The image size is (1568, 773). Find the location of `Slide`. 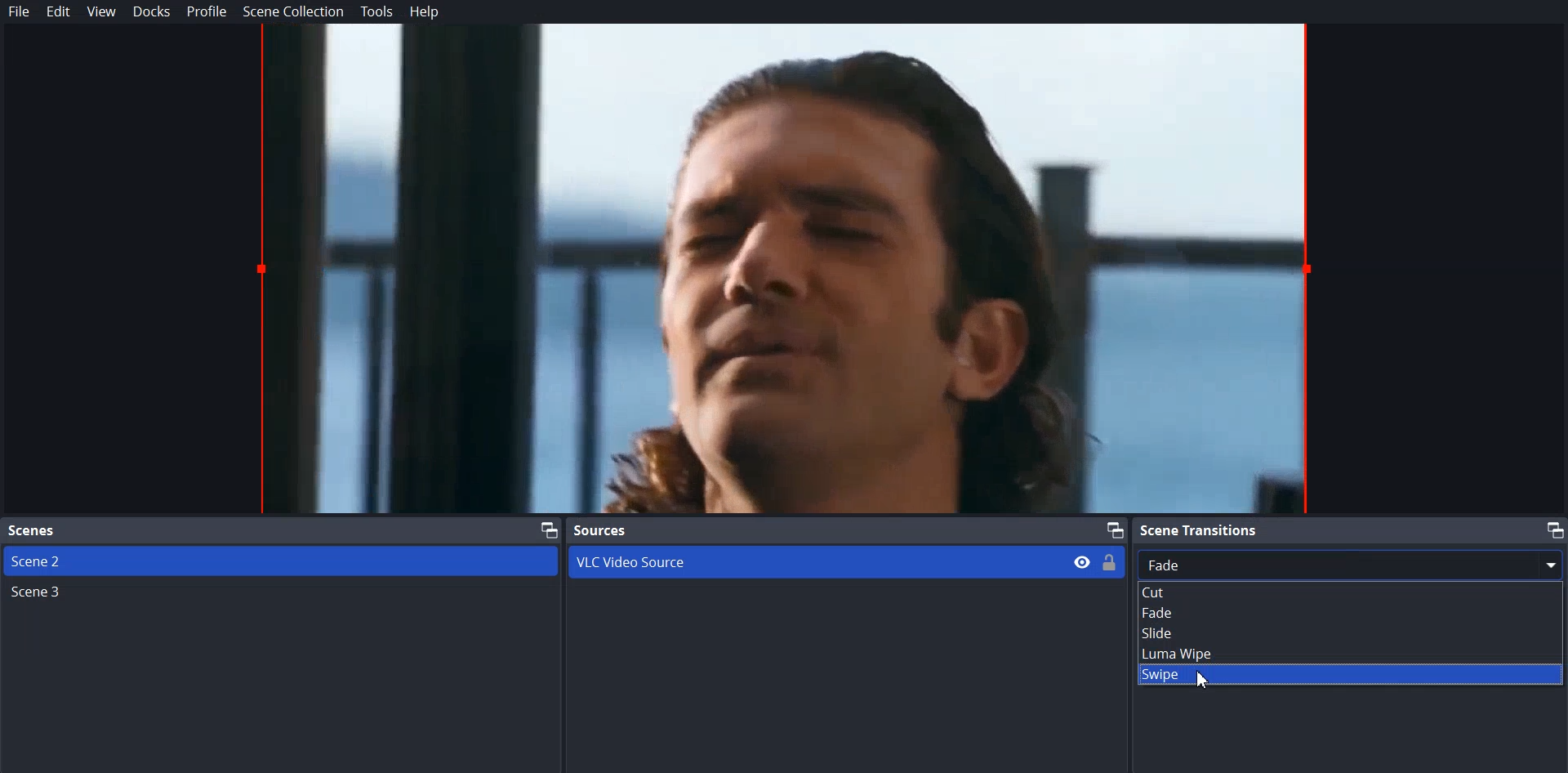

Slide is located at coordinates (1350, 632).